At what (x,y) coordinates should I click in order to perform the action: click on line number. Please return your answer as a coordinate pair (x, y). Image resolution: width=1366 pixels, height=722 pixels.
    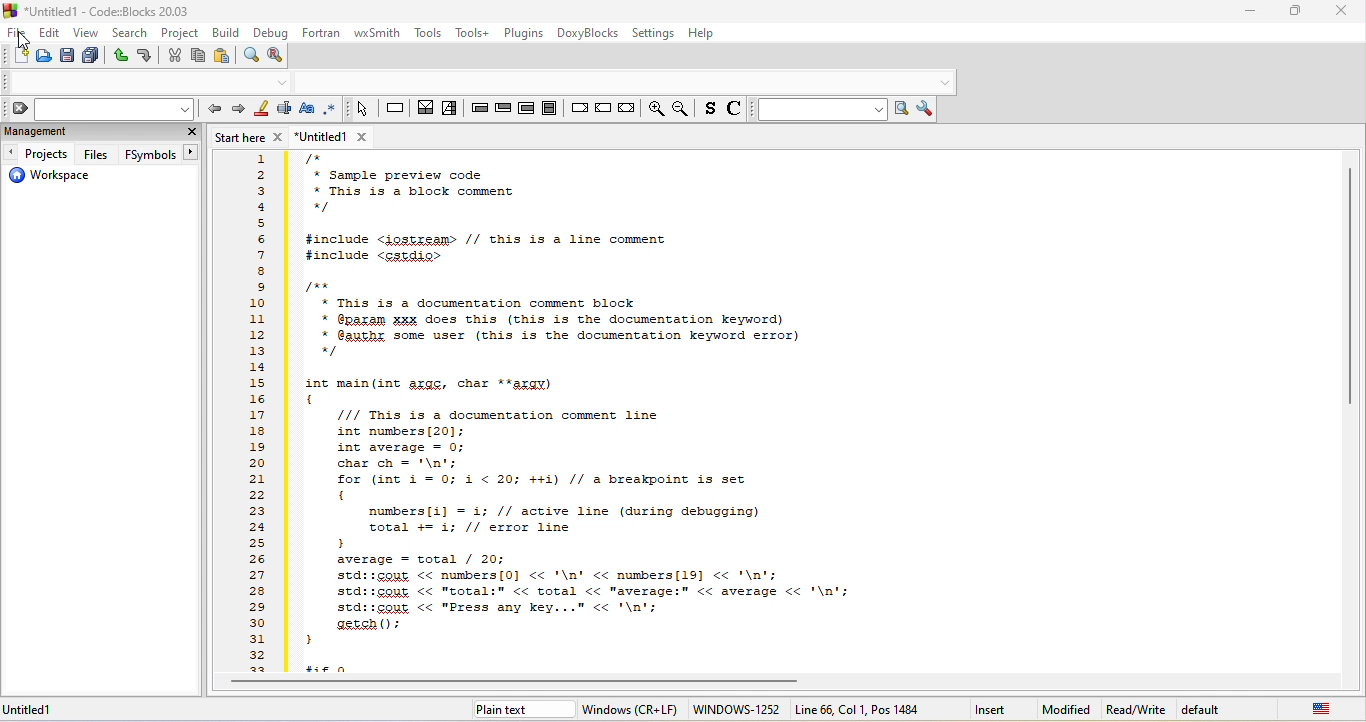
    Looking at the image, I should click on (257, 413).